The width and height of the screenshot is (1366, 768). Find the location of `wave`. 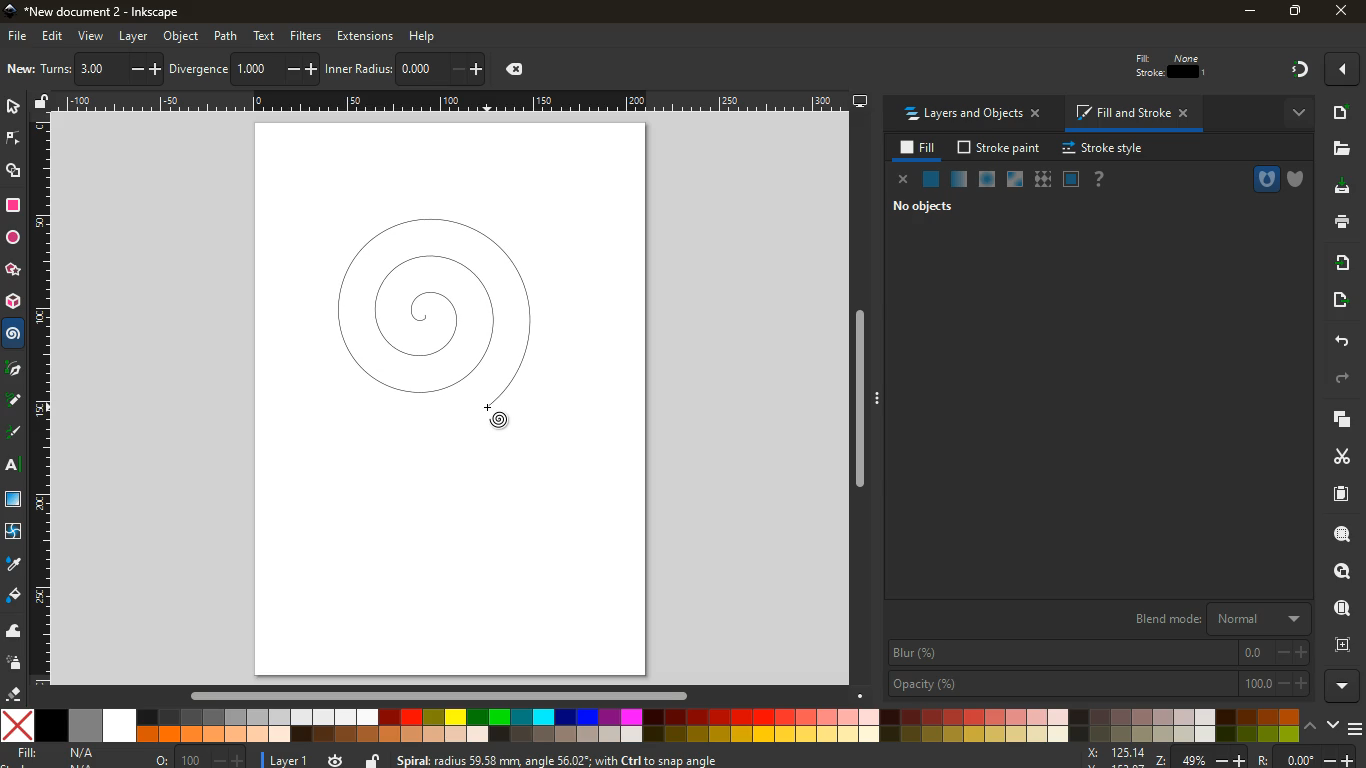

wave is located at coordinates (14, 631).